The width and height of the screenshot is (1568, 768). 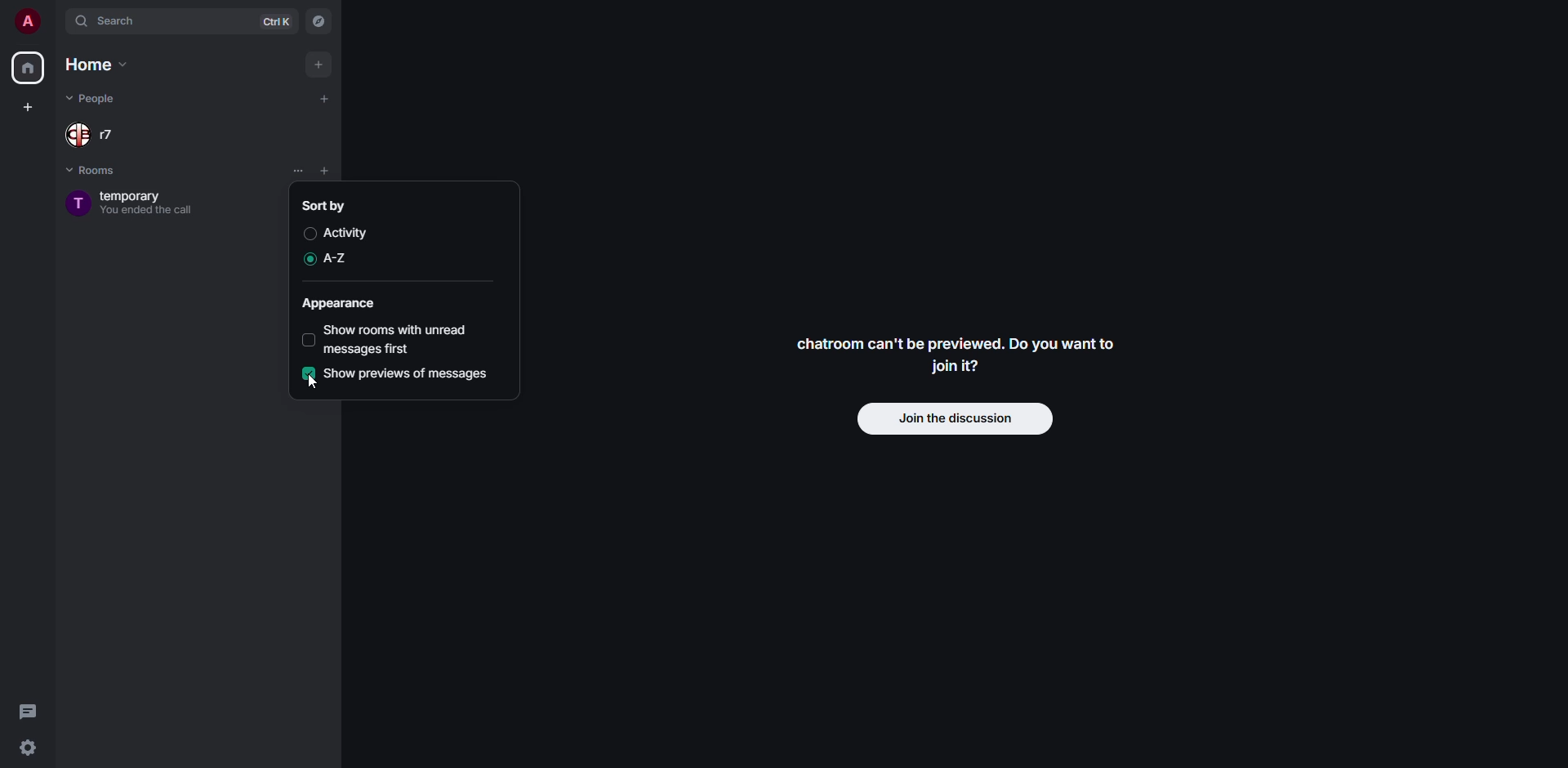 What do you see at coordinates (354, 232) in the screenshot?
I see `activity` at bounding box center [354, 232].